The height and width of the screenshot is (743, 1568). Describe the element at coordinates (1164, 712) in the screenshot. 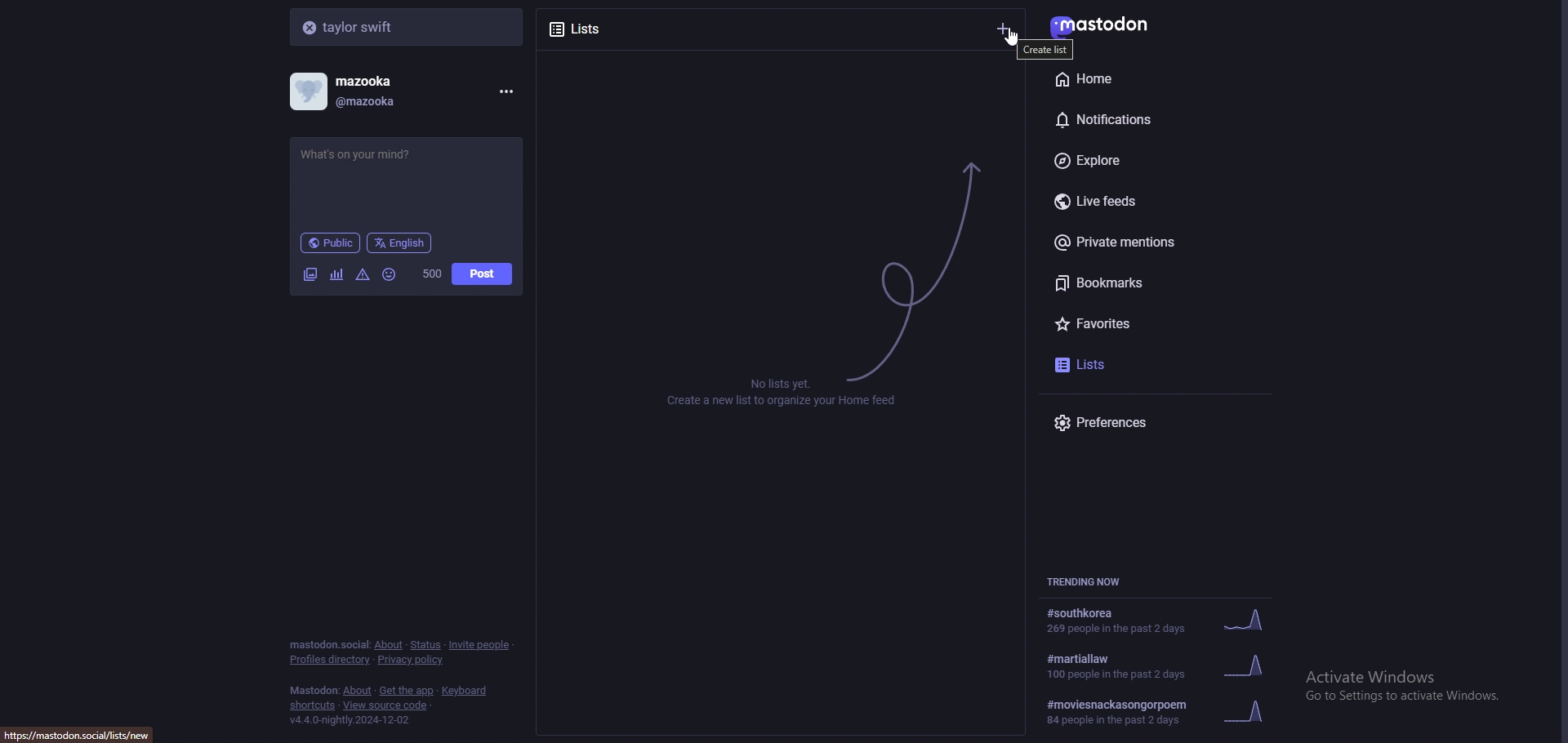

I see `trending` at that location.